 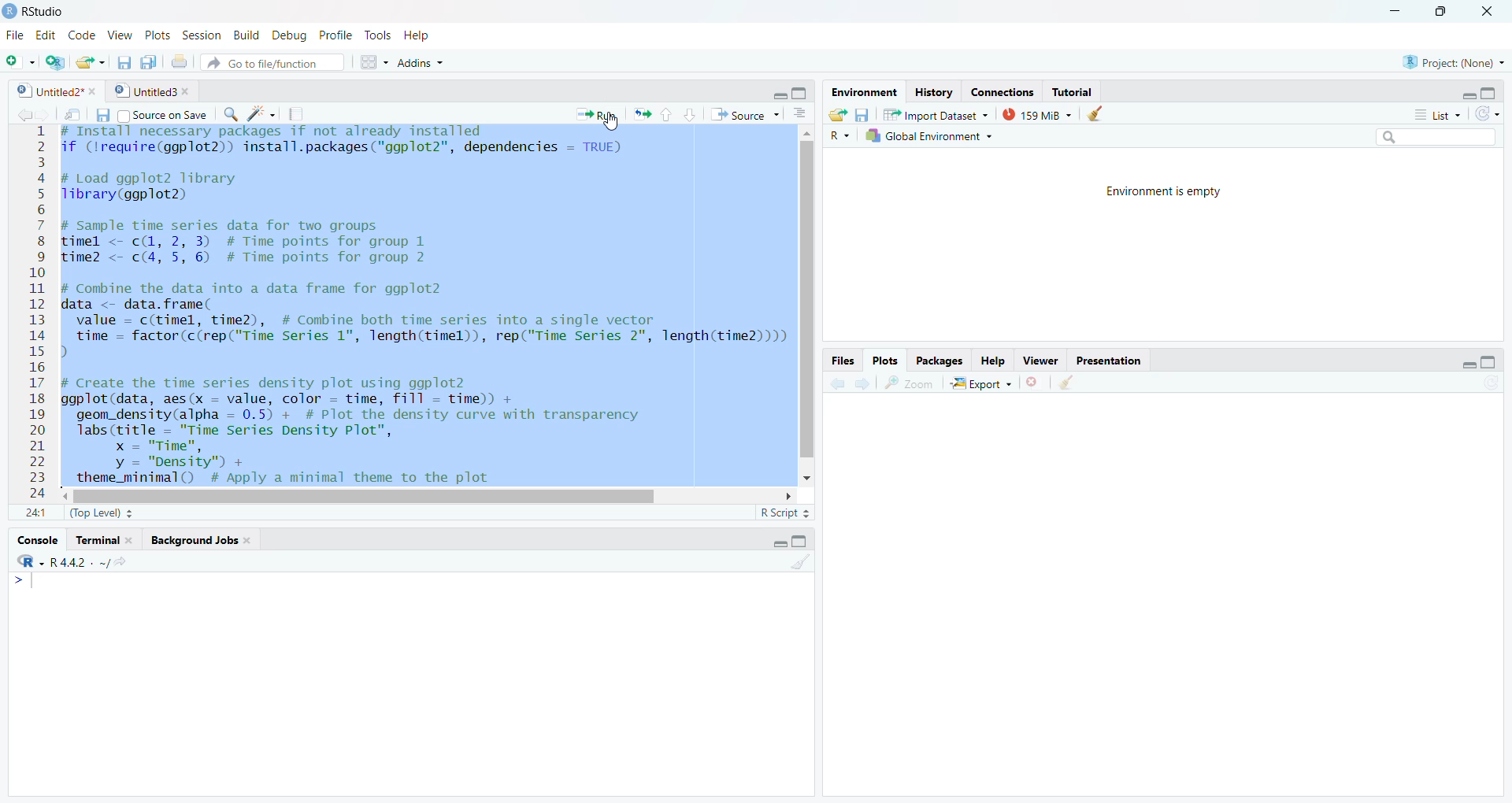 What do you see at coordinates (382, 429) in the screenshot?
I see `# Create the time series density plot using ggplot2
ggplot(data, aes(x = value, color = time, fill = time)) +
geom_density(alpha = 0.5) + # Plot the density curve with transparency
labs (title = "Time Series Density Plot",
x = "Time",
y - "Density" +
~~ theme_minimal() # Apply a minimal theme to the plot` at bounding box center [382, 429].